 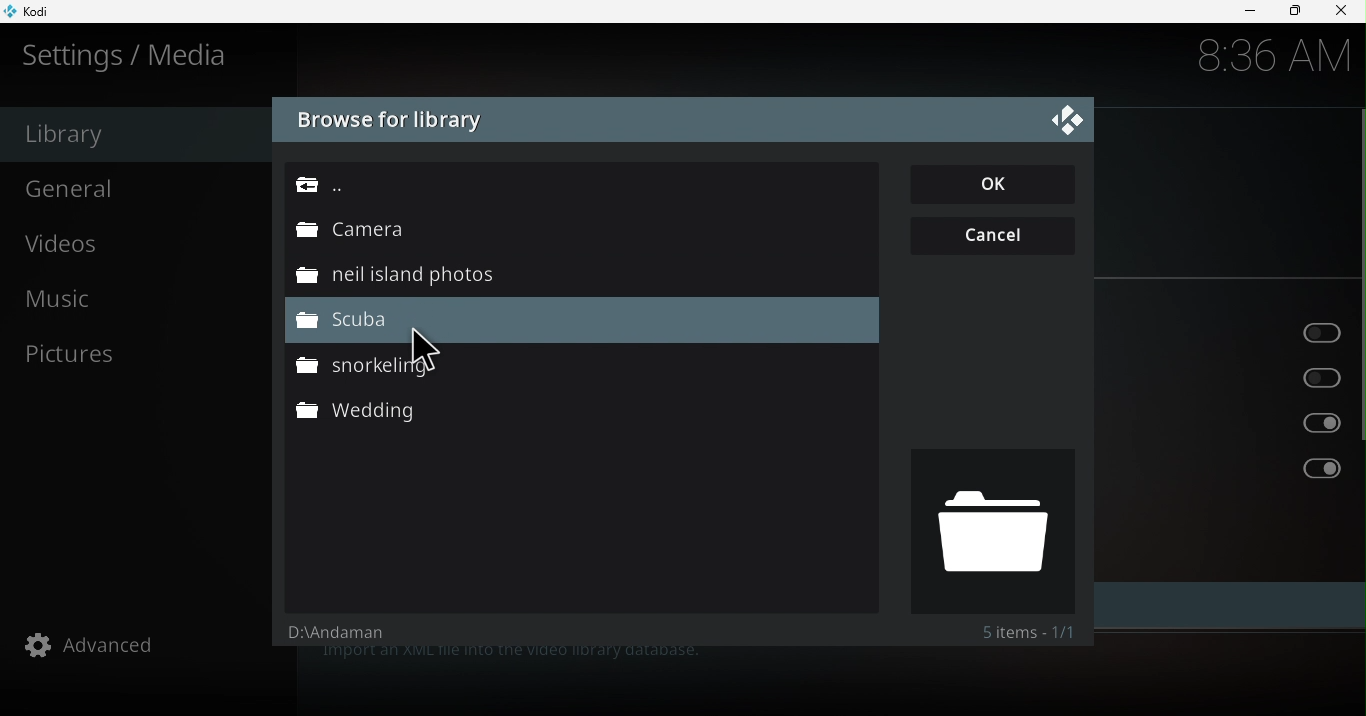 What do you see at coordinates (1344, 11) in the screenshot?
I see `close` at bounding box center [1344, 11].